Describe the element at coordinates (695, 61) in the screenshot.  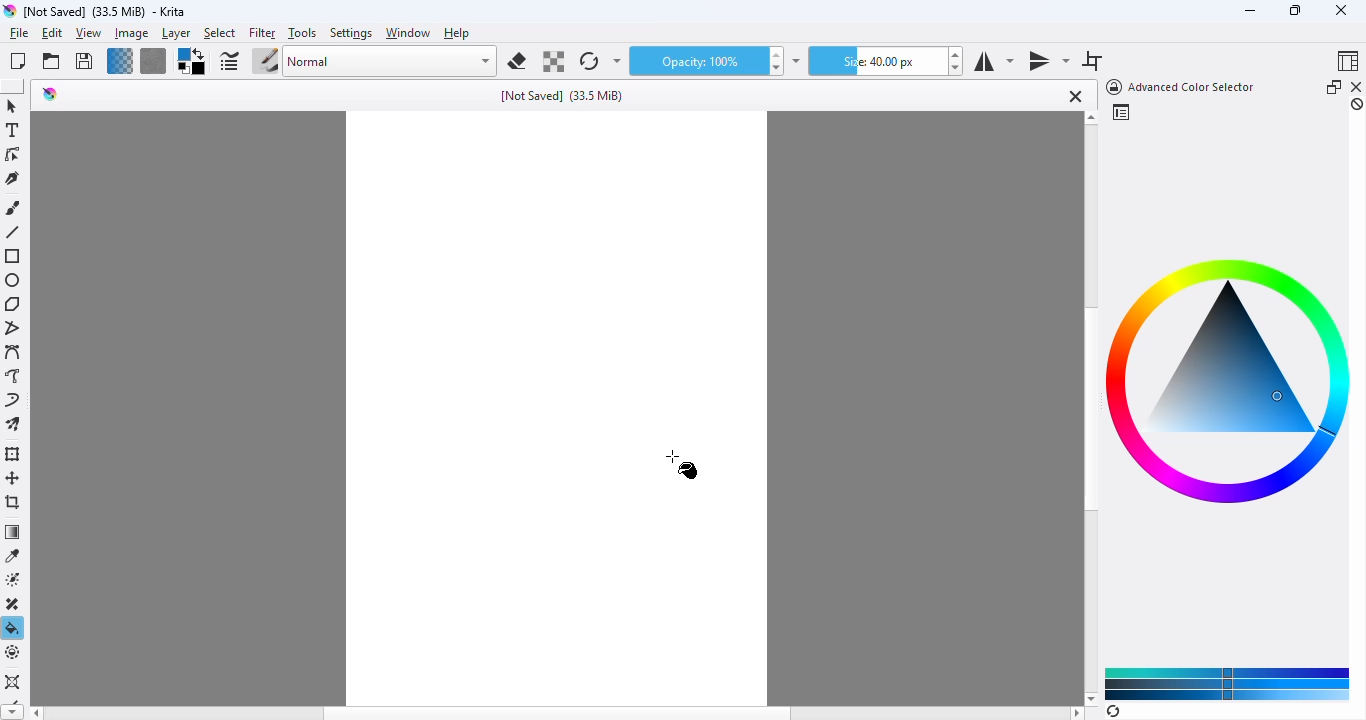
I see `opacity` at that location.